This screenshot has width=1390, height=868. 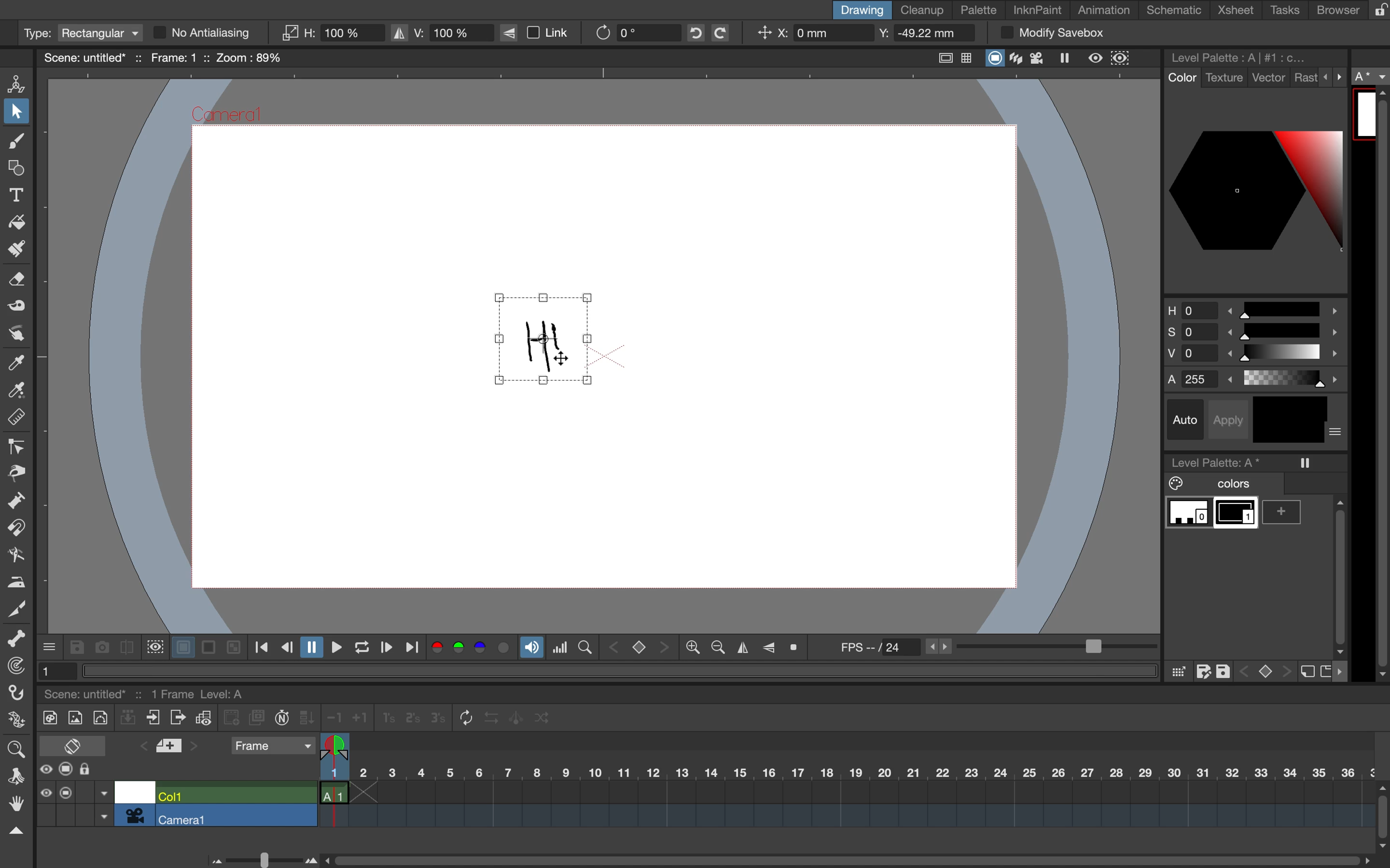 What do you see at coordinates (96, 770) in the screenshot?
I see `lock toggle all` at bounding box center [96, 770].